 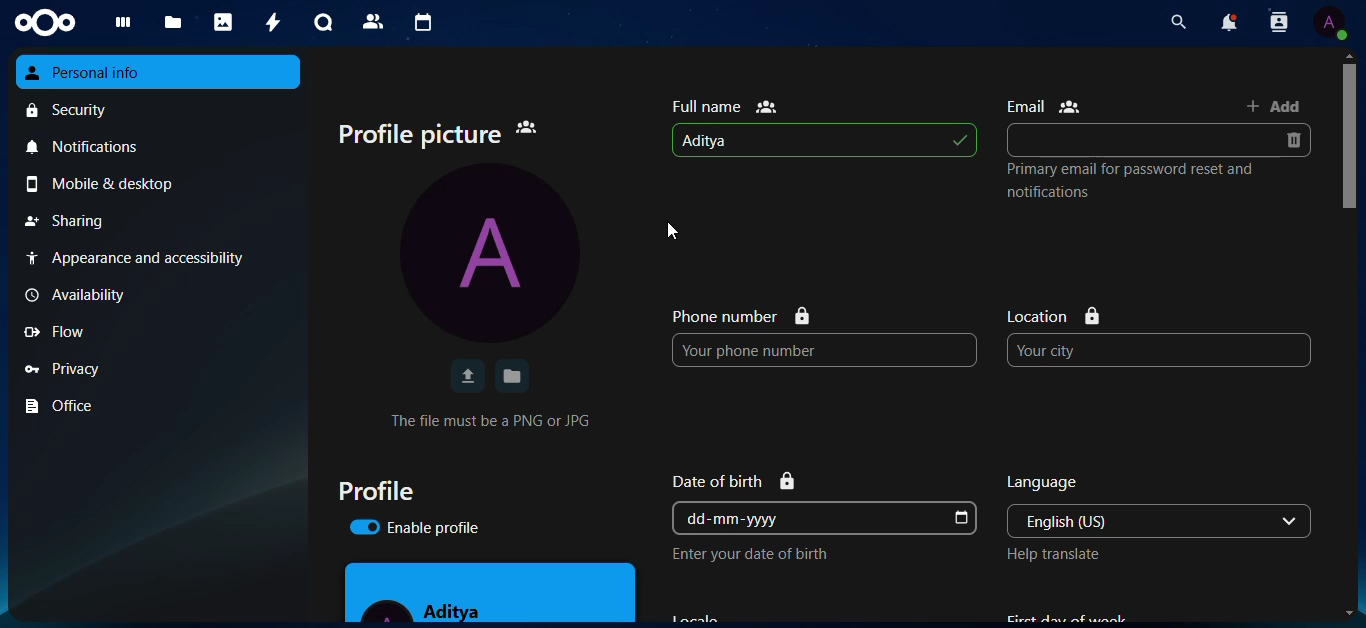 I want to click on add, so click(x=1274, y=105).